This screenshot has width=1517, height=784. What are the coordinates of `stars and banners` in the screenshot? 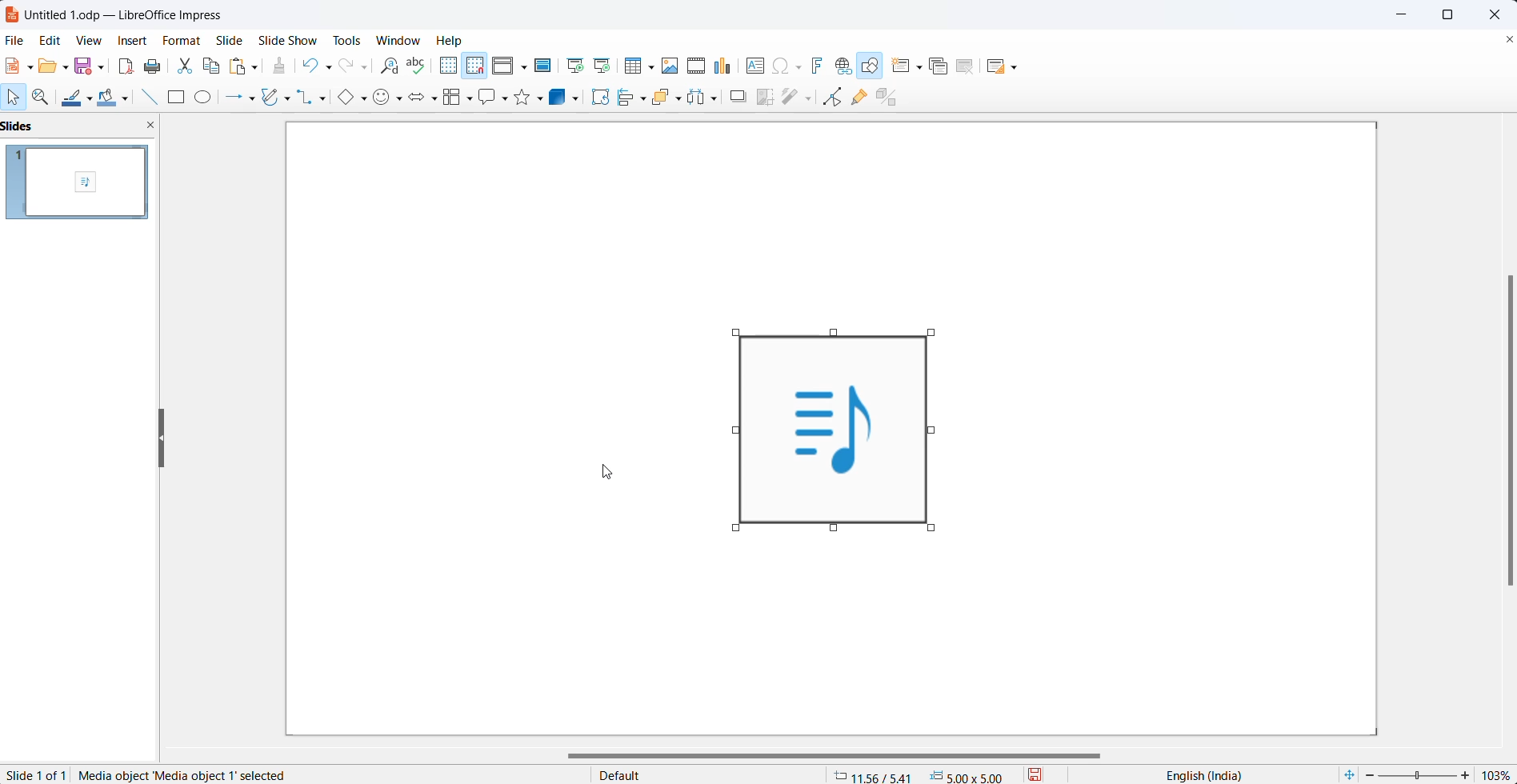 It's located at (522, 97).